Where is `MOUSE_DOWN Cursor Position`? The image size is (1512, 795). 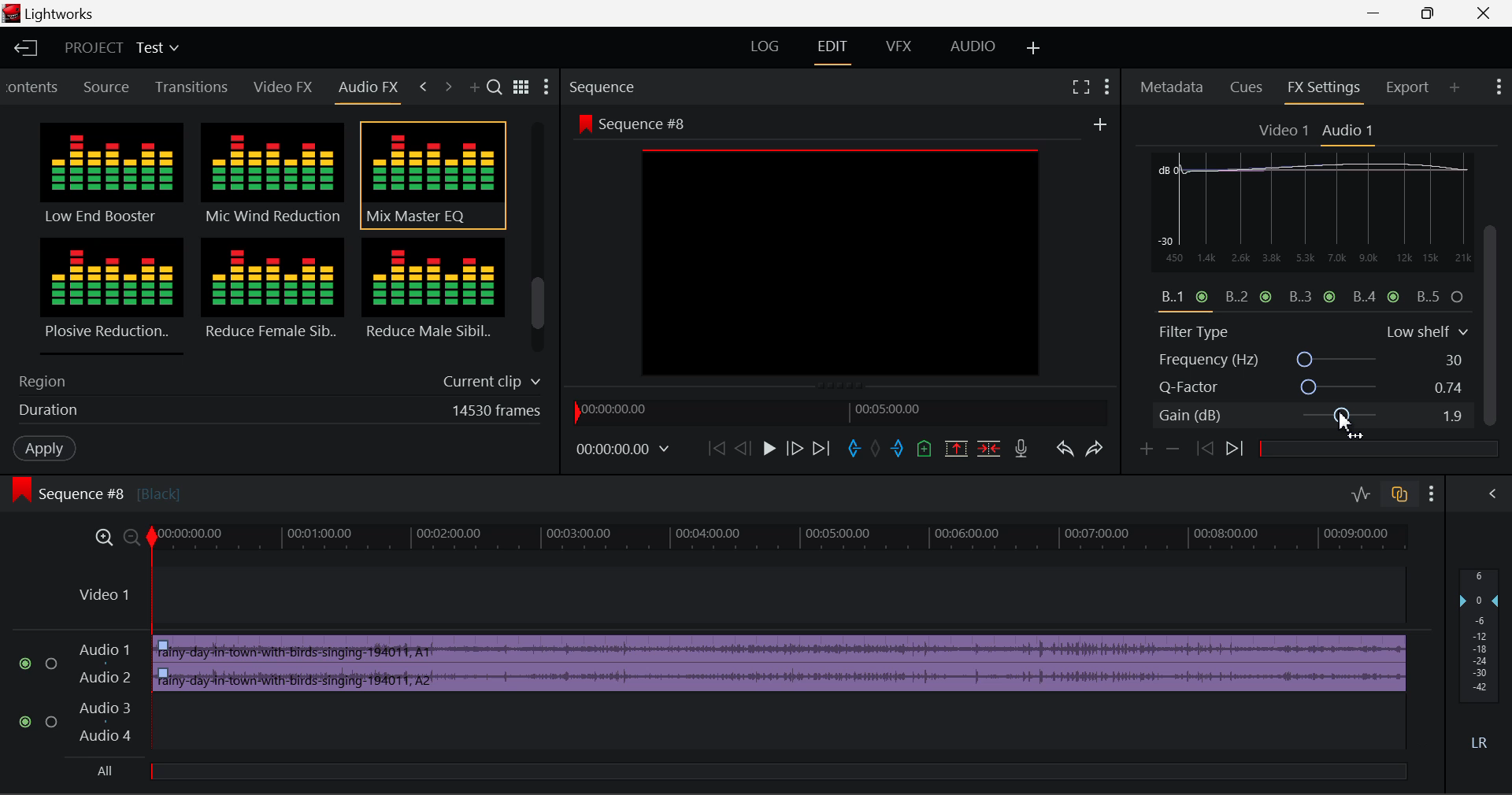 MOUSE_DOWN Cursor Position is located at coordinates (1348, 421).